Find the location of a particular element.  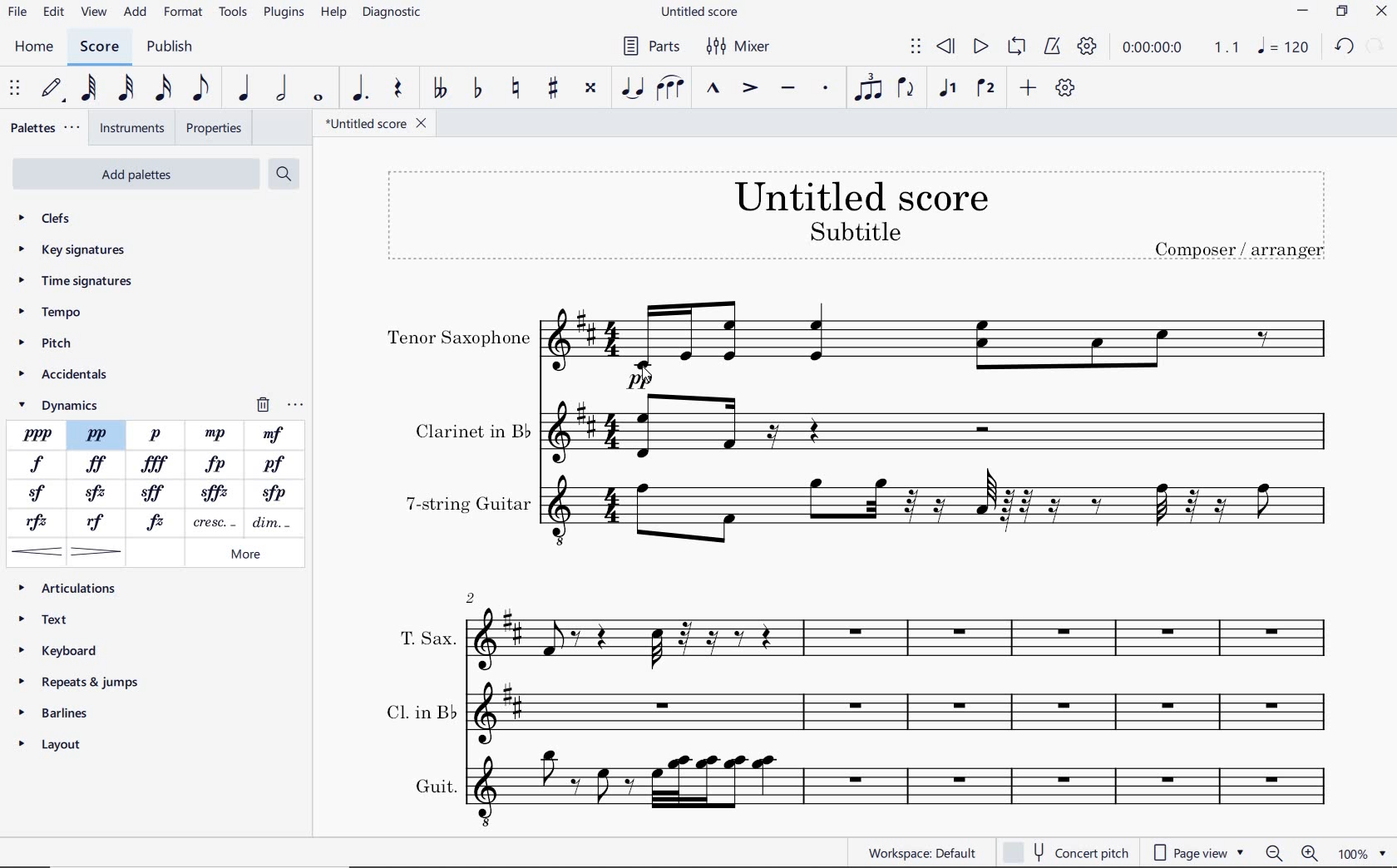

64TH NOTE is located at coordinates (91, 89).